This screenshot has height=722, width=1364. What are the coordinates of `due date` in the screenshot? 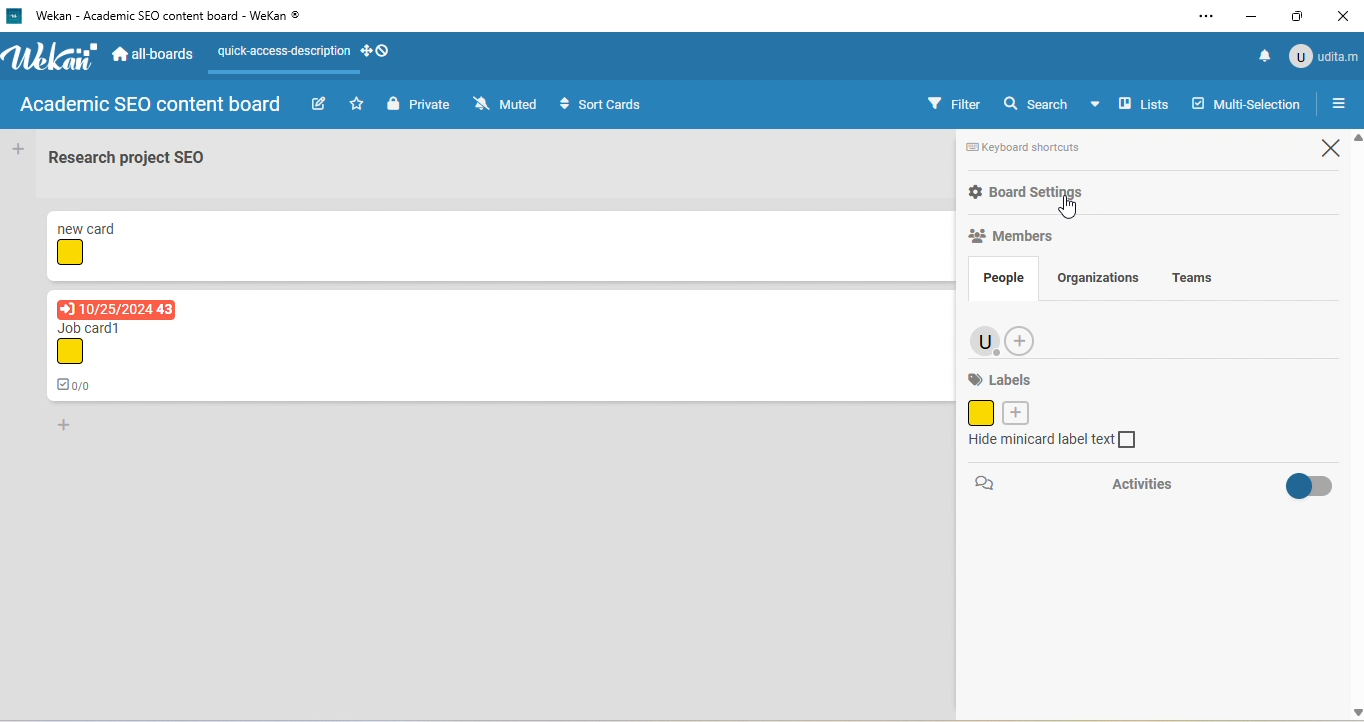 It's located at (117, 308).